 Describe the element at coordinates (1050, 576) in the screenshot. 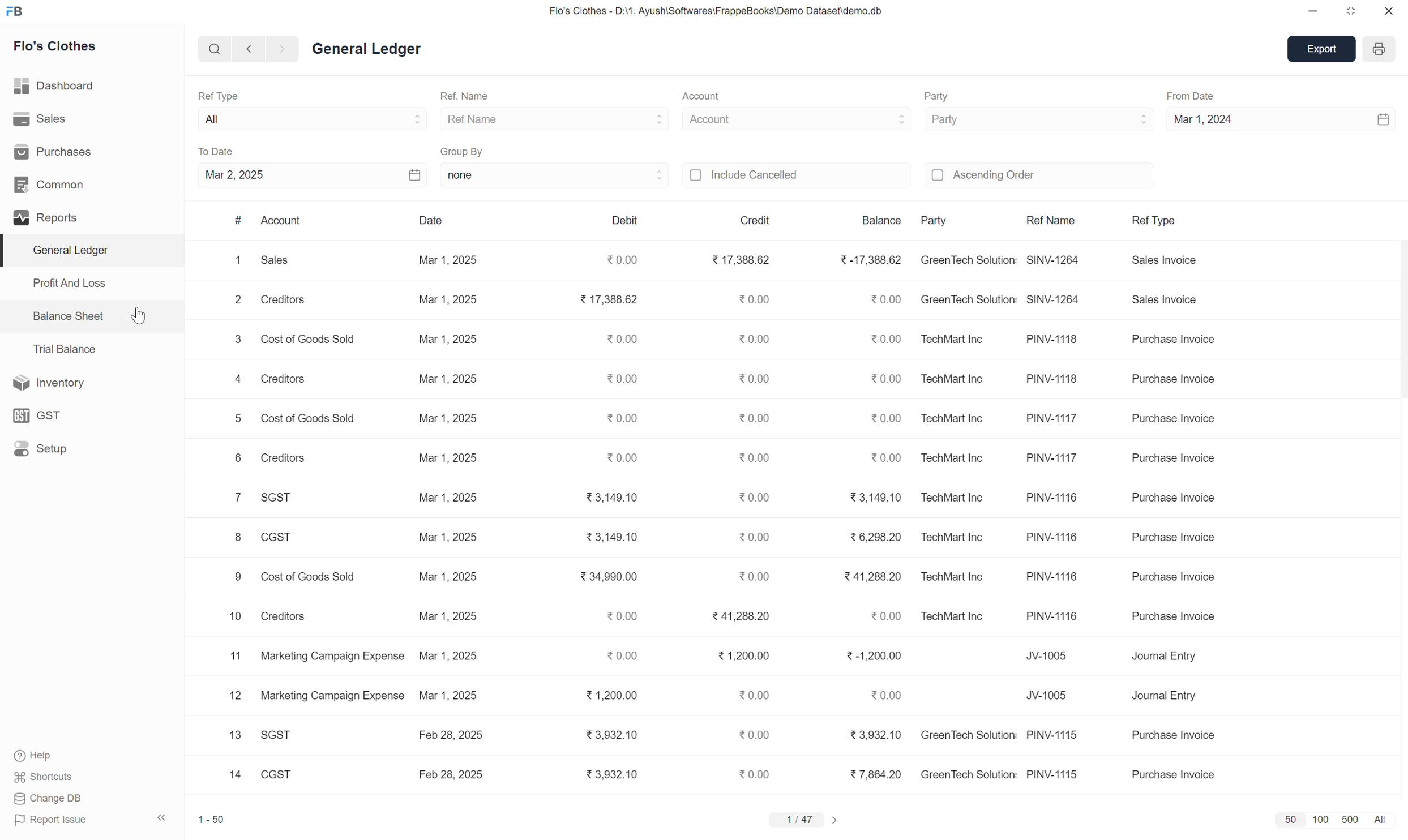

I see `PNW 1116` at that location.